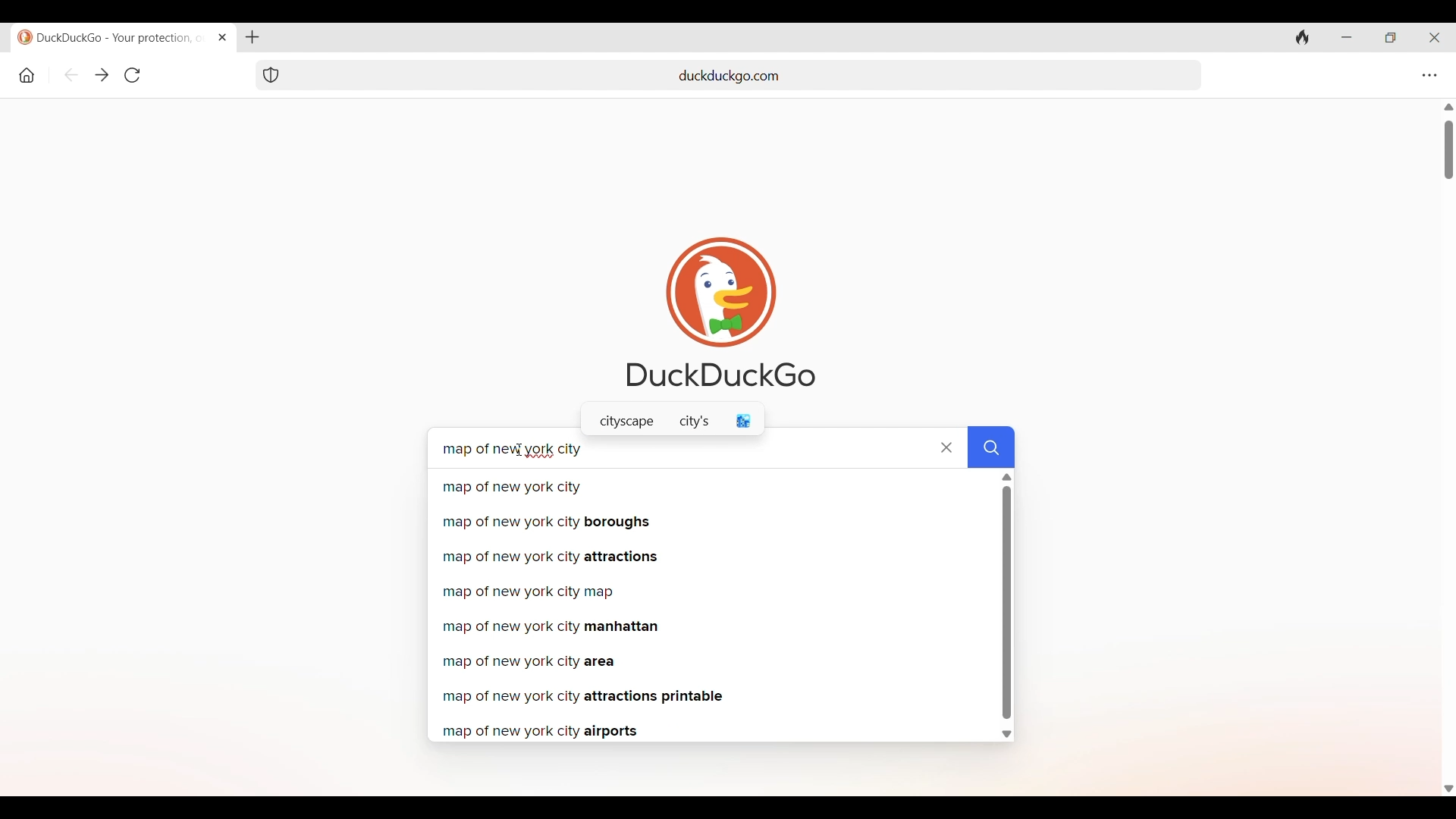 The image size is (1456, 819). What do you see at coordinates (710, 557) in the screenshot?
I see `map of new york city attractions` at bounding box center [710, 557].